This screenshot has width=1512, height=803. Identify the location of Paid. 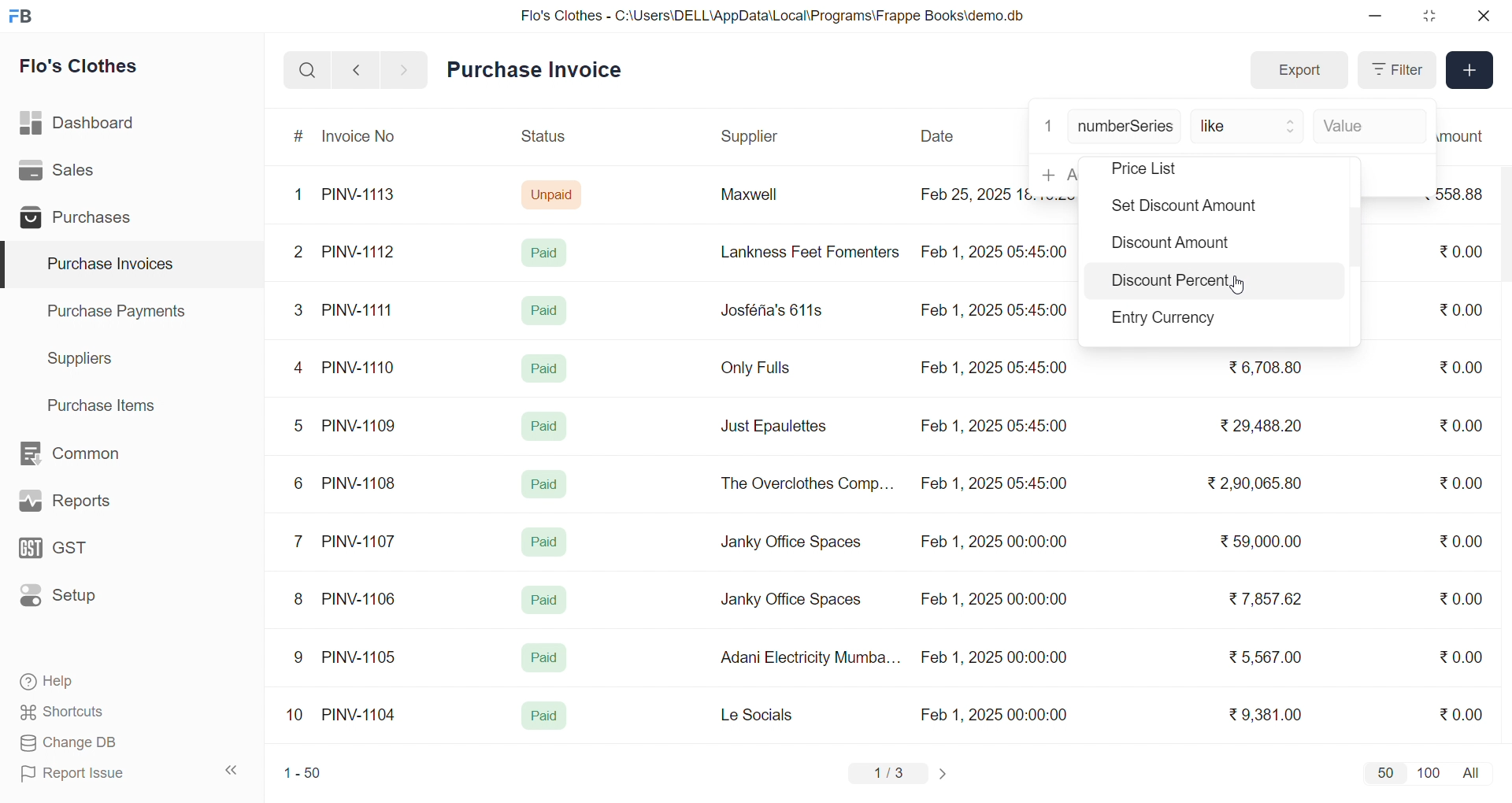
(545, 310).